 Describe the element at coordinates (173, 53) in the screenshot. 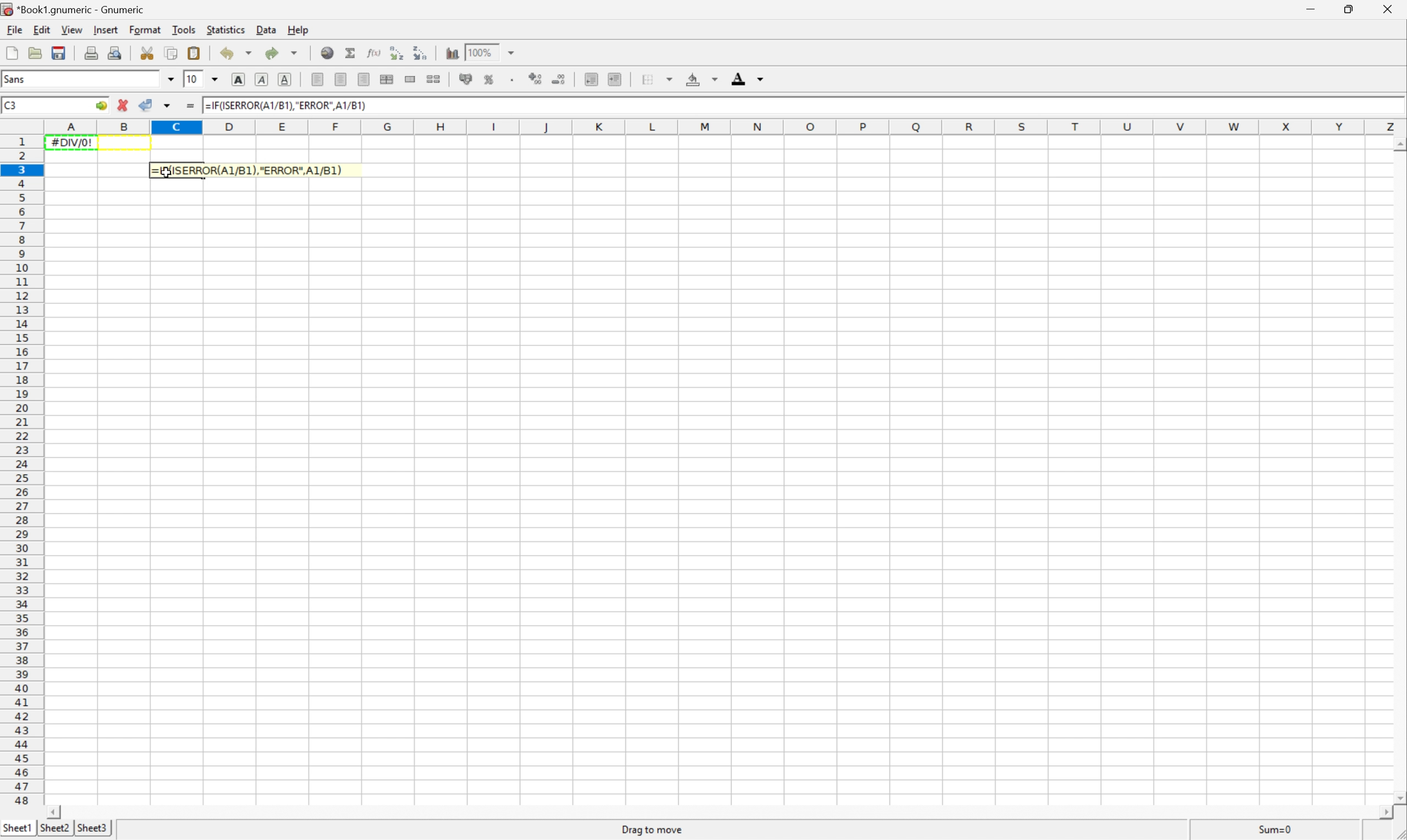

I see `Copy the selection` at that location.